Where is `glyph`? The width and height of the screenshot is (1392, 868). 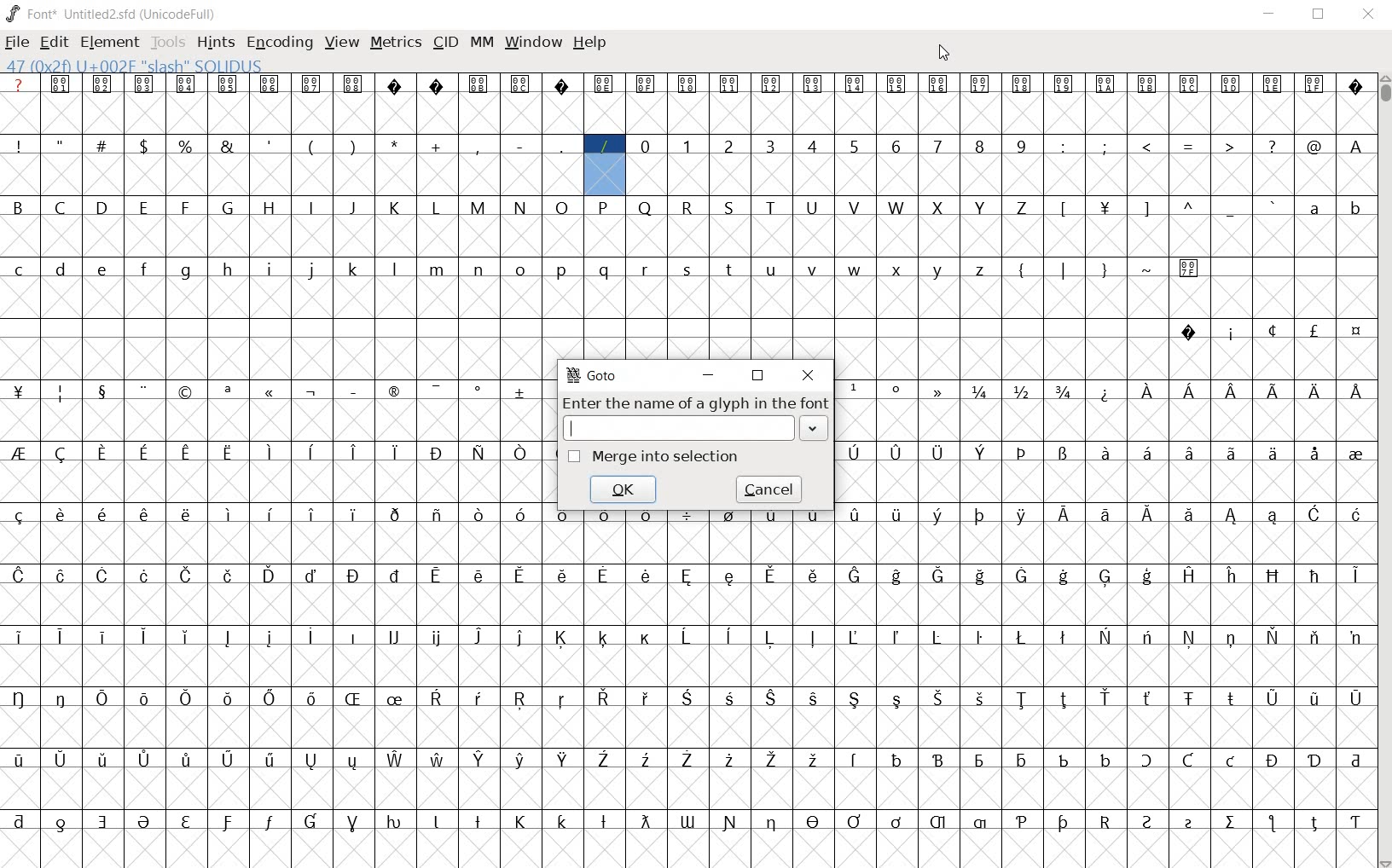 glyph is located at coordinates (1355, 455).